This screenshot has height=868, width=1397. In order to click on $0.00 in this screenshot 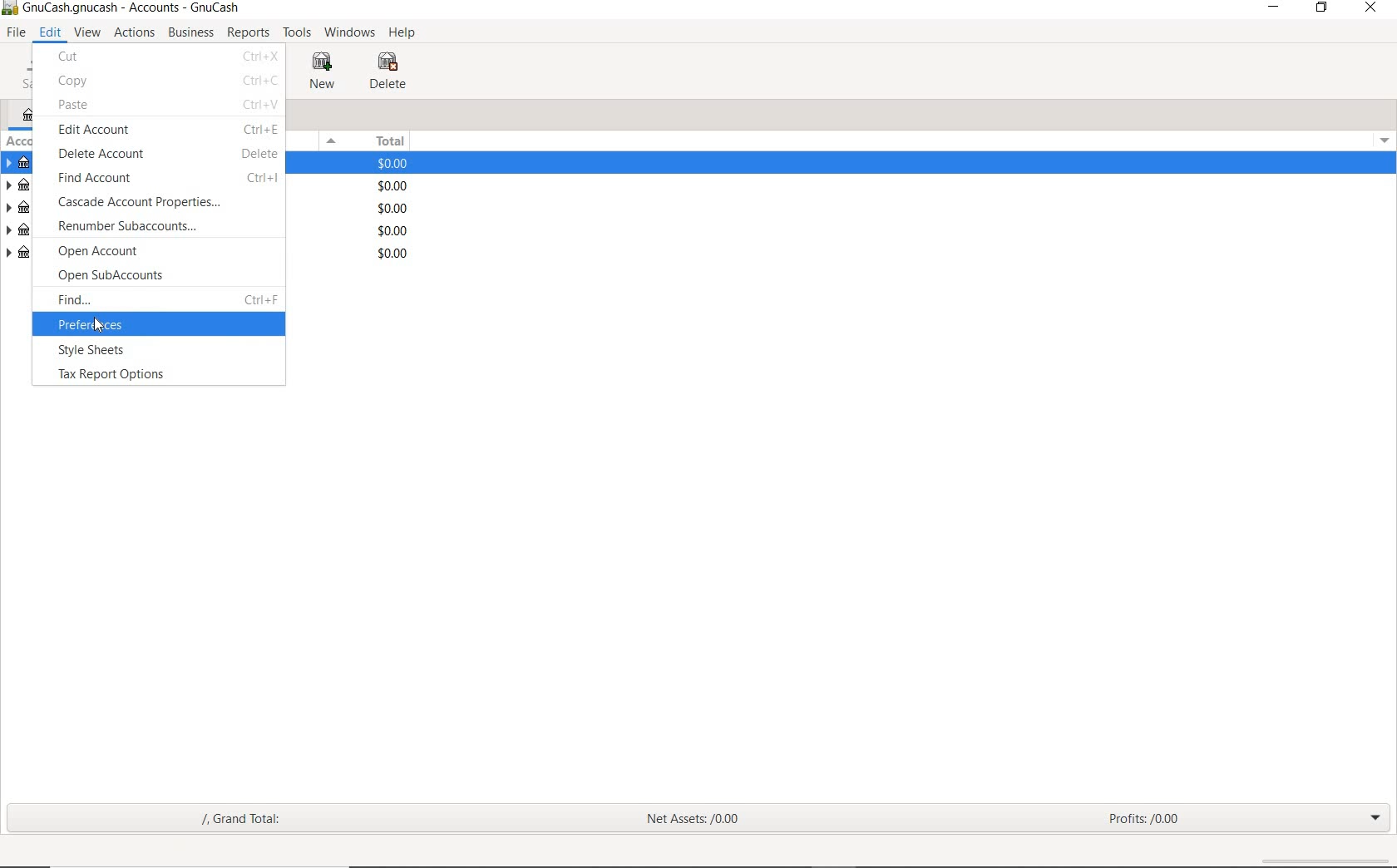, I will do `click(395, 165)`.